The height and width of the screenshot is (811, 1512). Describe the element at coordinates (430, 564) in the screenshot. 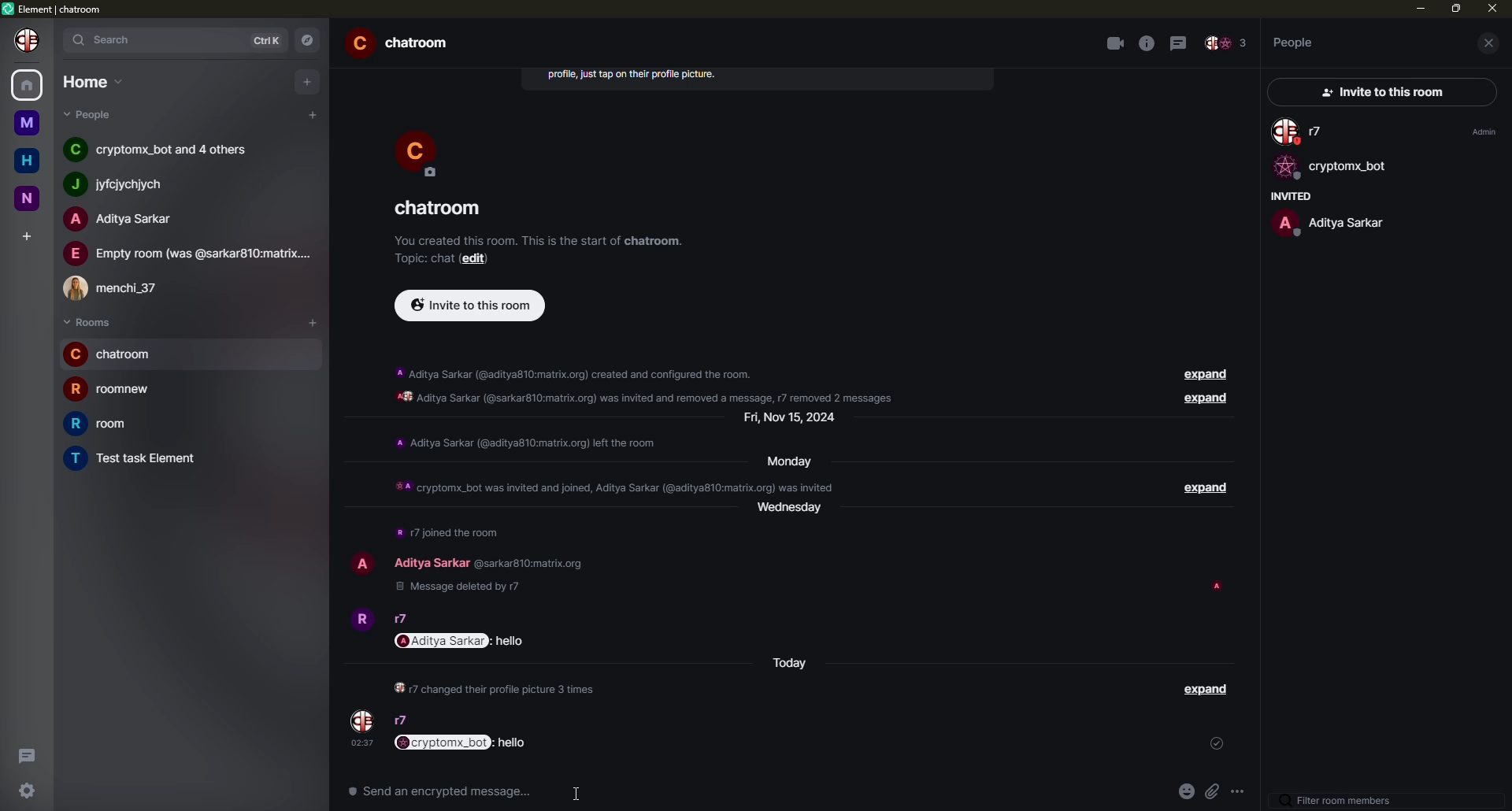

I see `people` at that location.